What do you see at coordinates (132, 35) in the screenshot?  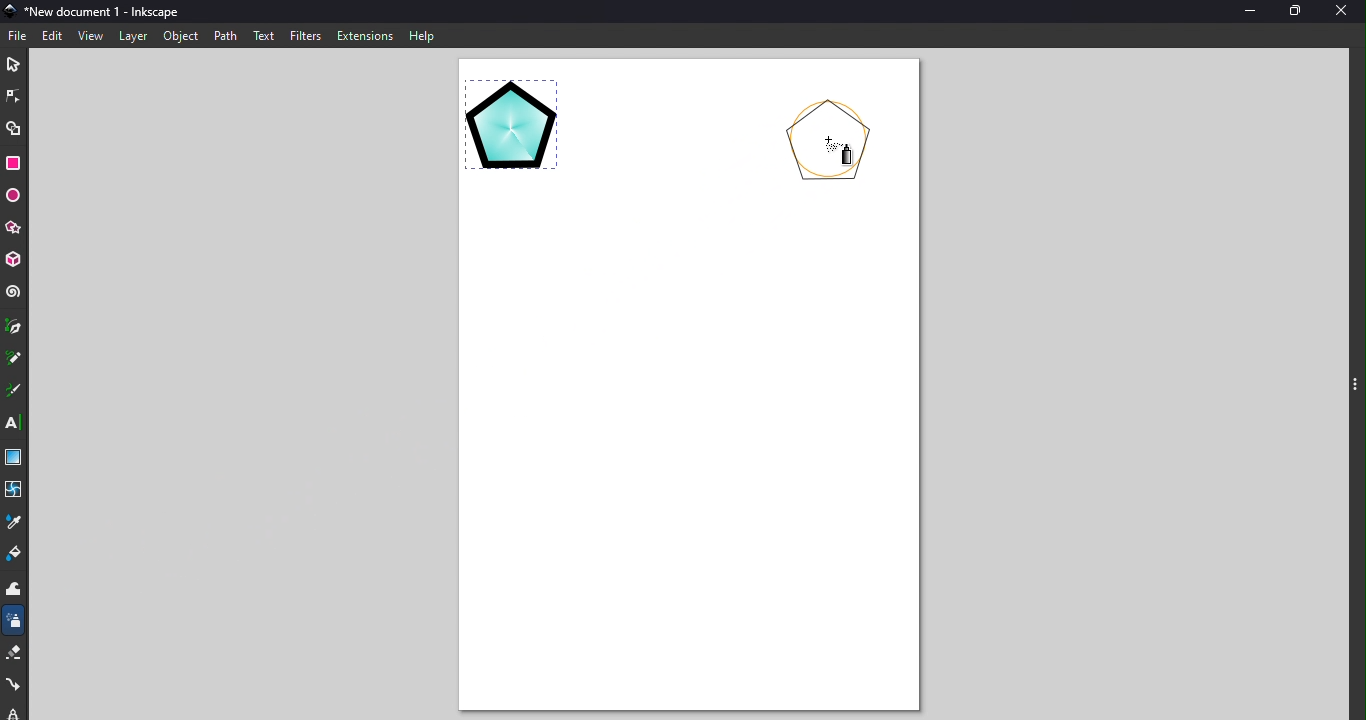 I see `Layer` at bounding box center [132, 35].